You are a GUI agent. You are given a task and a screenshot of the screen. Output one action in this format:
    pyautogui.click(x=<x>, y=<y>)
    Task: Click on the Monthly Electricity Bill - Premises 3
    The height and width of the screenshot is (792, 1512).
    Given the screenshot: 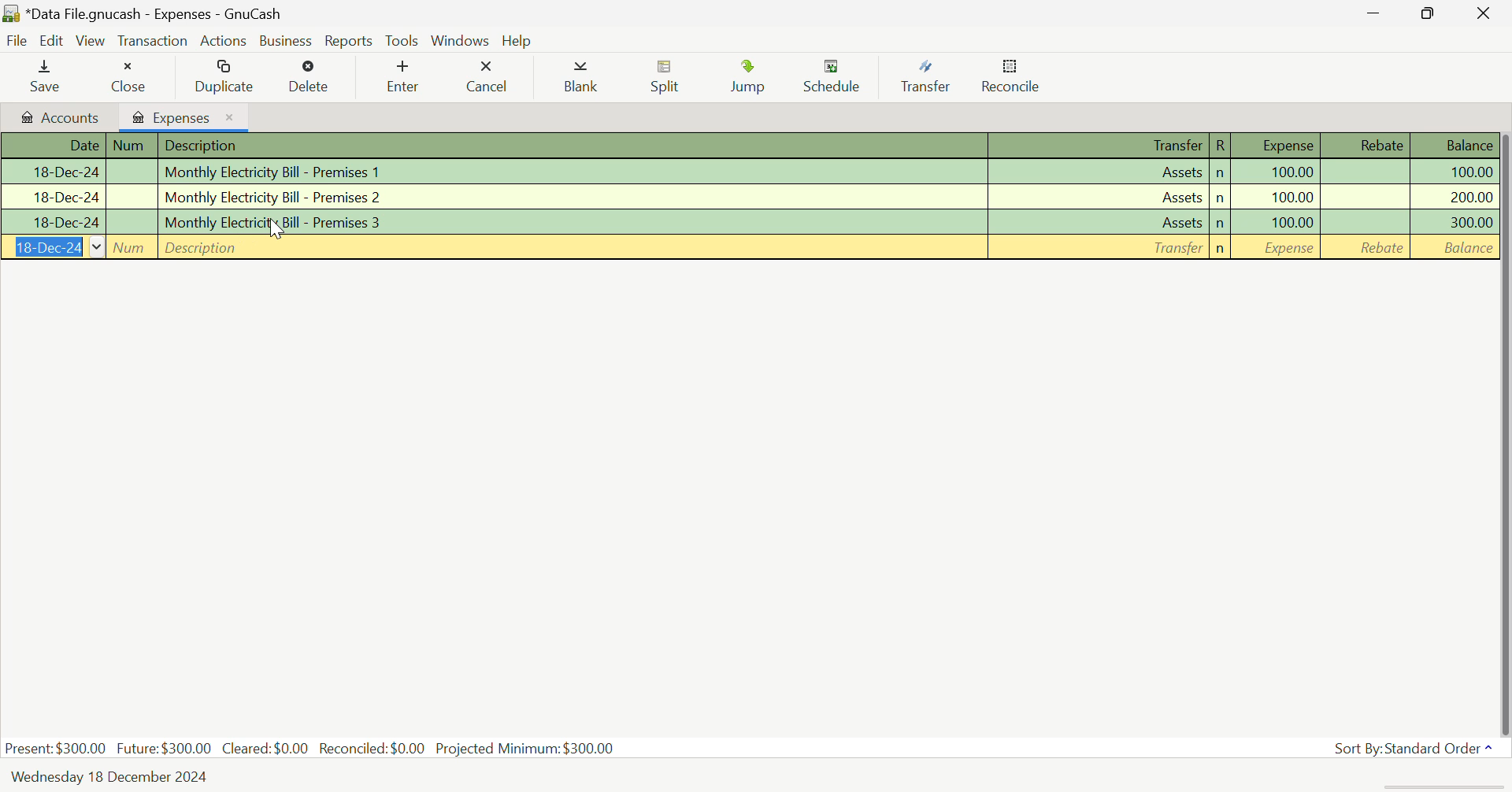 What is the action you would take?
    pyautogui.click(x=747, y=222)
    